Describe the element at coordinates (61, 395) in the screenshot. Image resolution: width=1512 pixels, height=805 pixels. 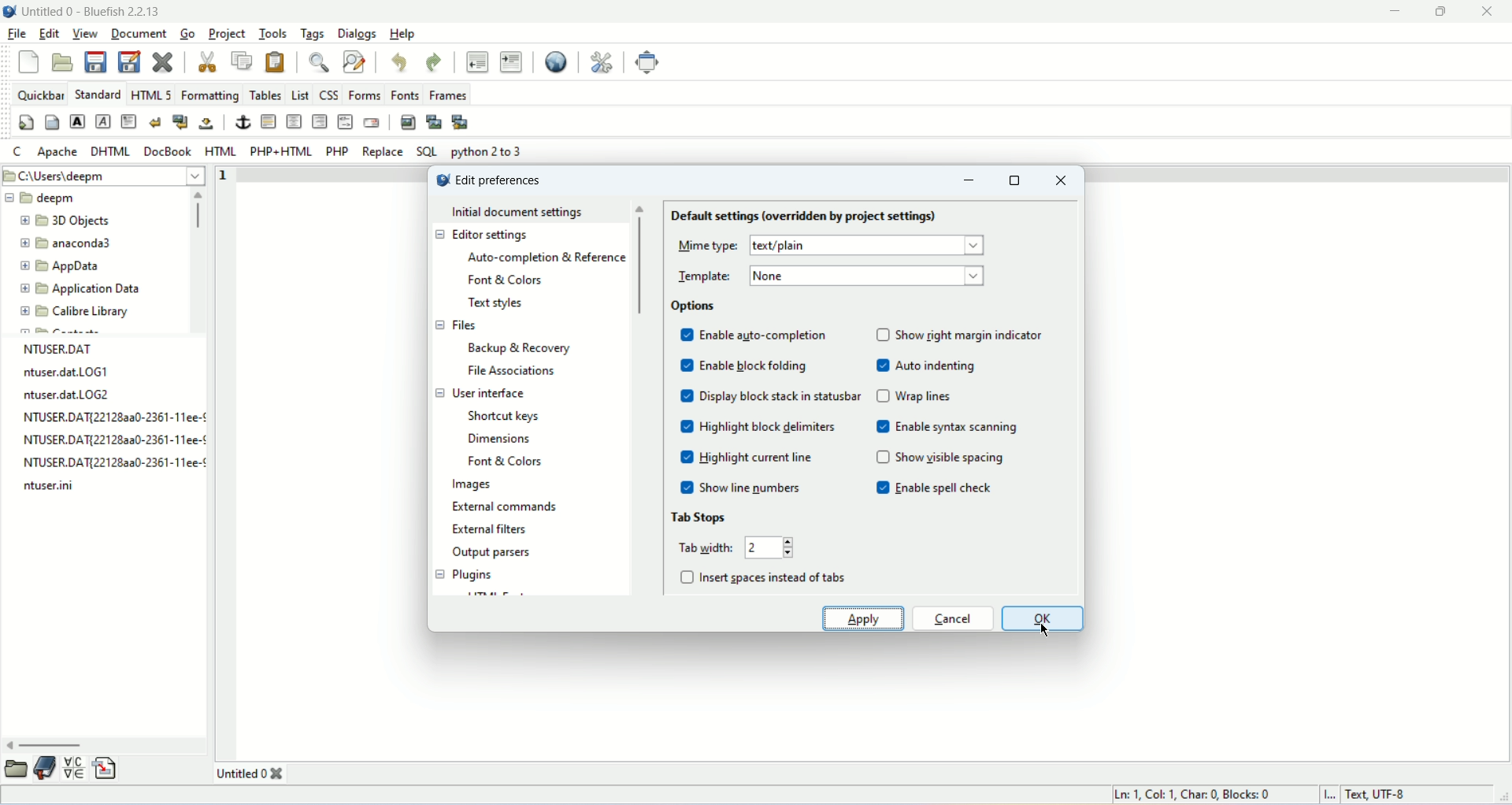
I see `ntuser.dat.LOG2` at that location.